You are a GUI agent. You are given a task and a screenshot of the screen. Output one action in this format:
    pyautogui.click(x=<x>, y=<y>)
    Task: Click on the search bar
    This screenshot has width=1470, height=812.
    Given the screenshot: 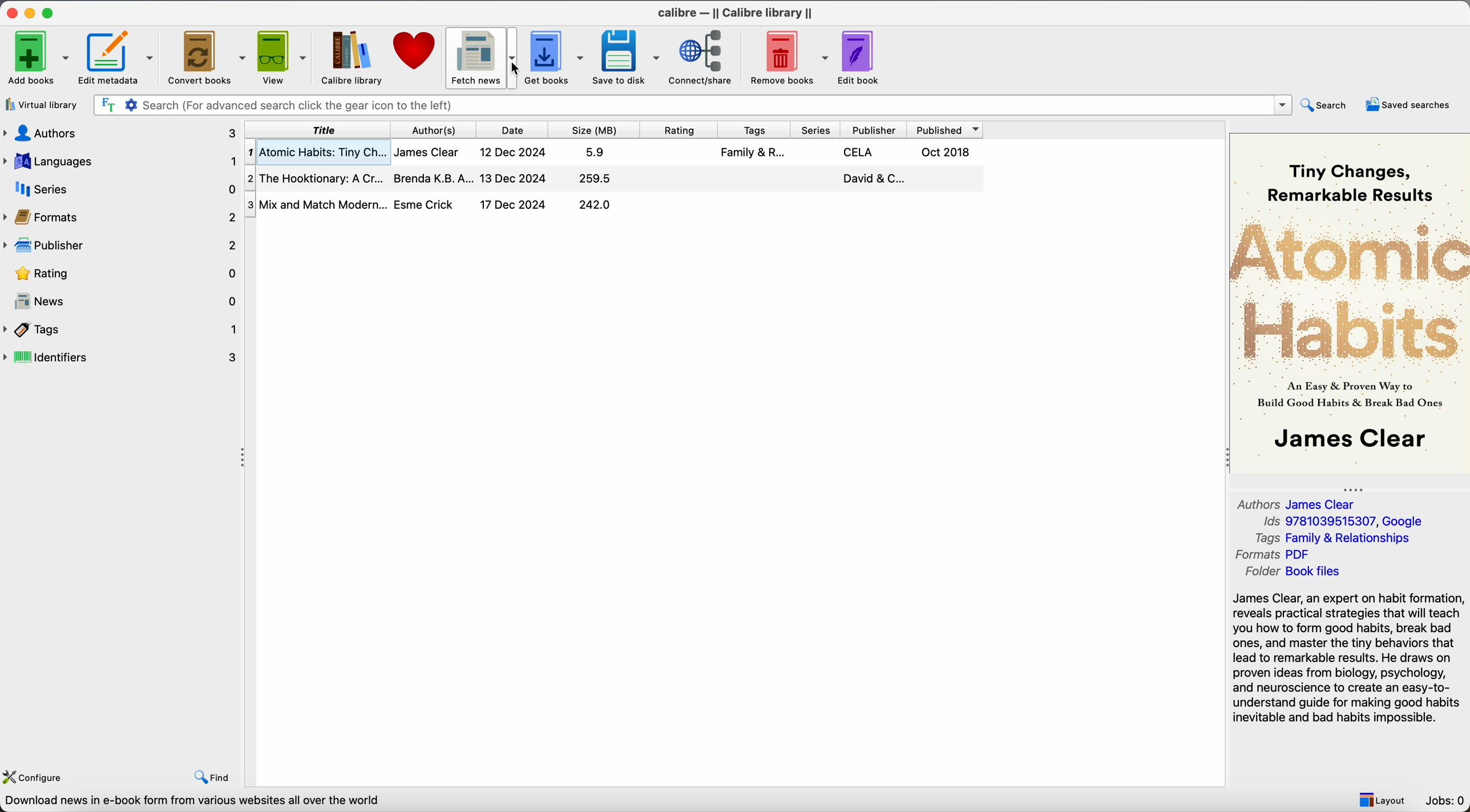 What is the action you would take?
    pyautogui.click(x=693, y=105)
    